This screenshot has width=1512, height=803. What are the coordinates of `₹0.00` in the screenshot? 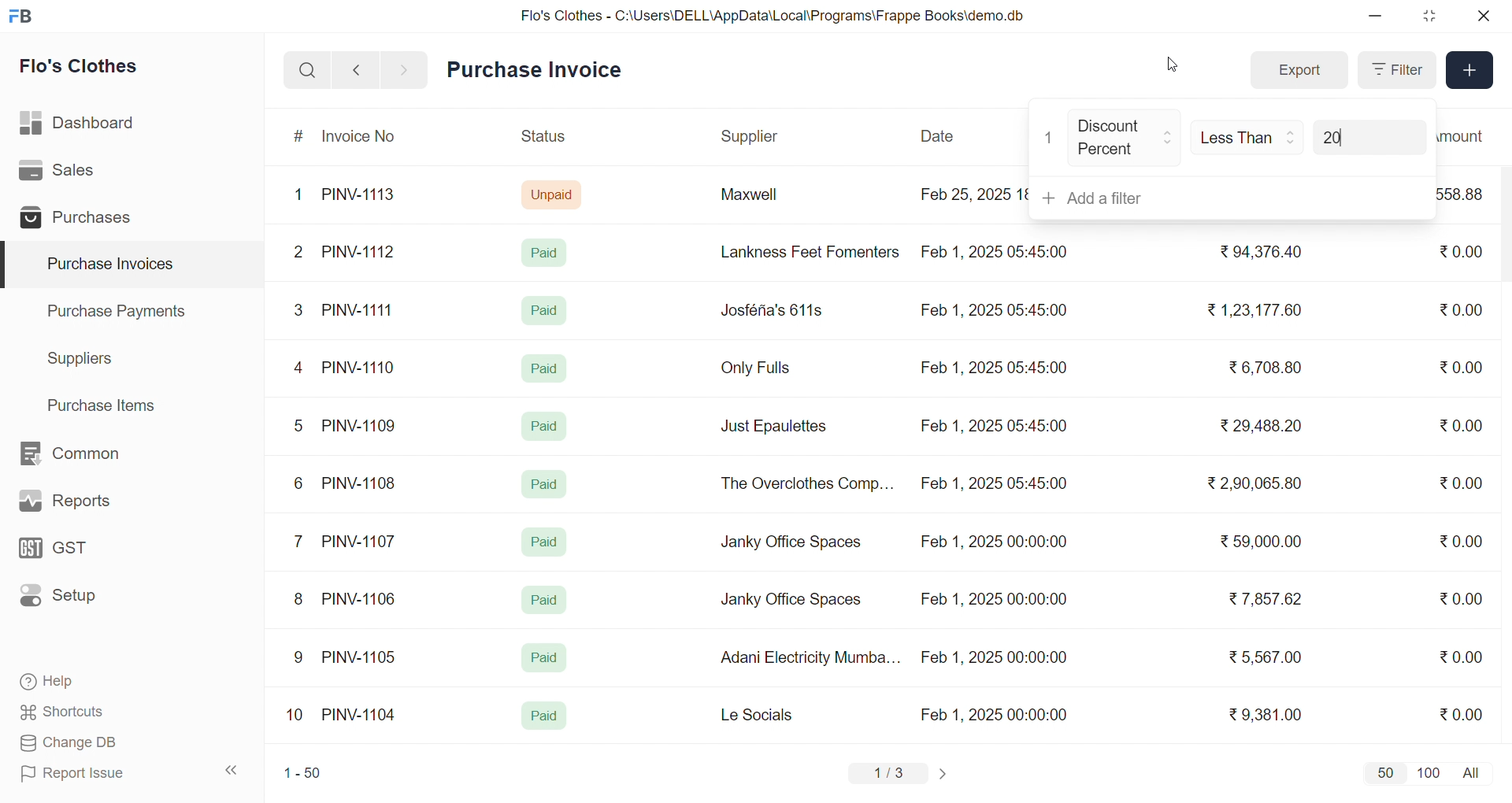 It's located at (1458, 253).